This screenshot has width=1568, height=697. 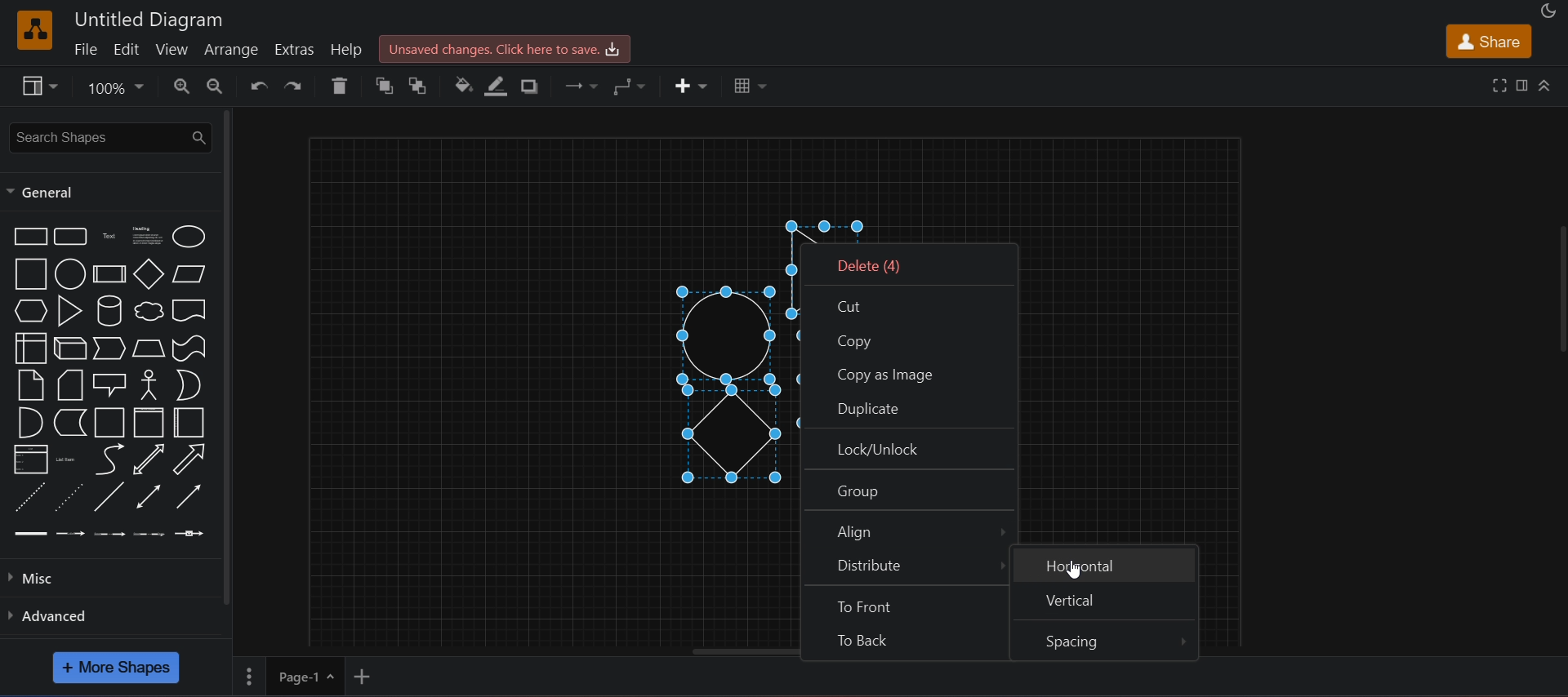 What do you see at coordinates (68, 385) in the screenshot?
I see `card` at bounding box center [68, 385].